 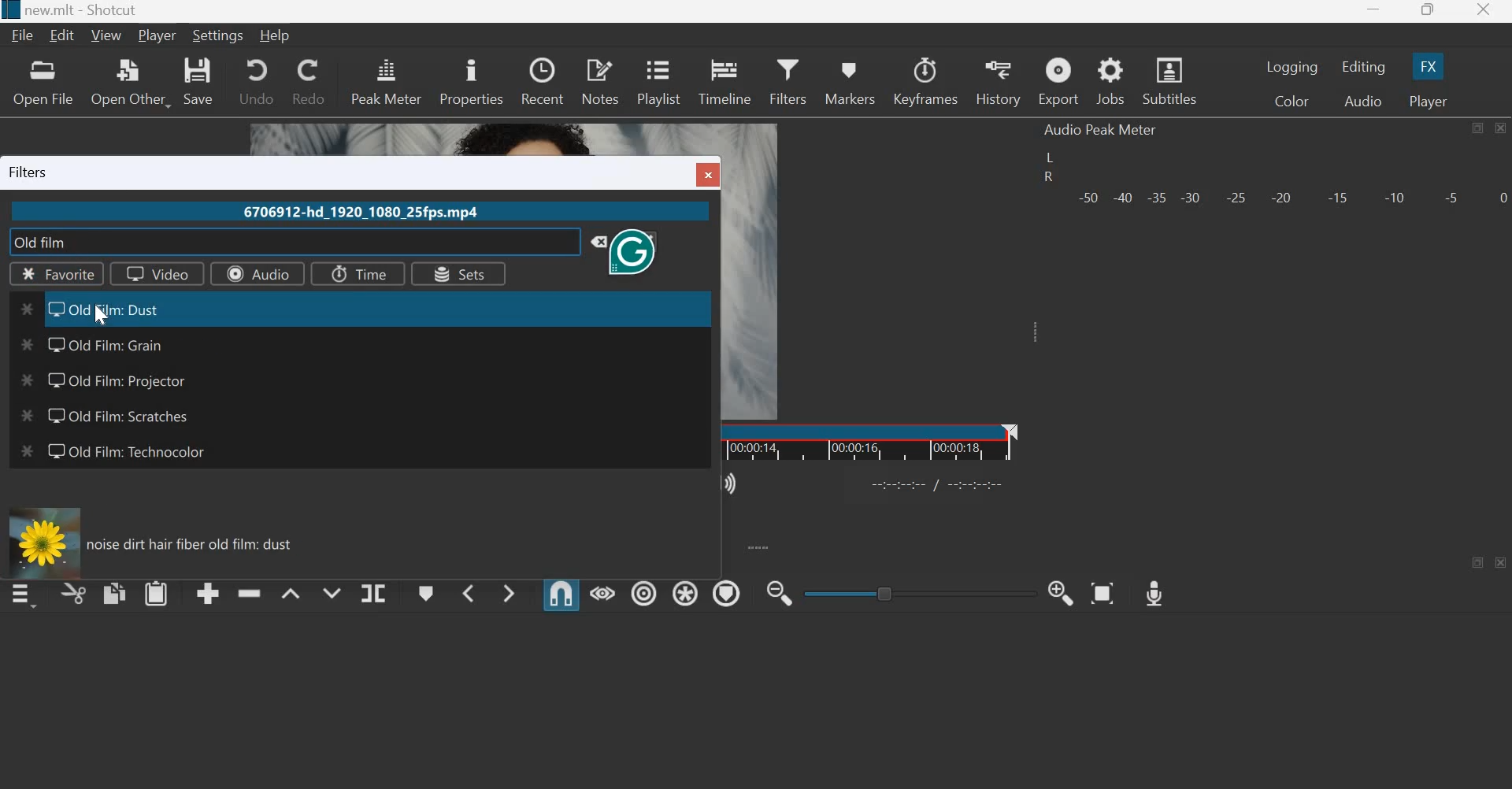 I want to click on Player, so click(x=157, y=36).